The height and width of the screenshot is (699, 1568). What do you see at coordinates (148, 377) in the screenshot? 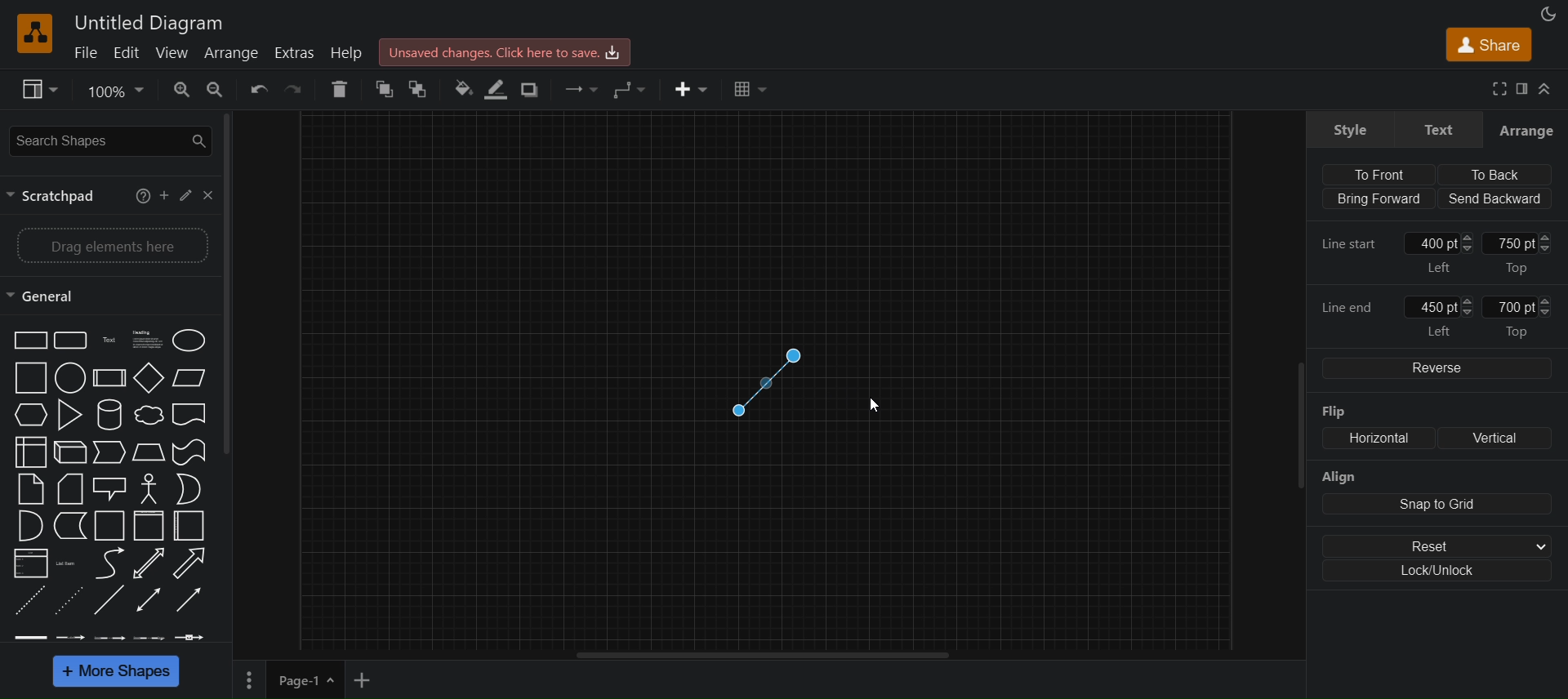
I see `Diamond` at bounding box center [148, 377].